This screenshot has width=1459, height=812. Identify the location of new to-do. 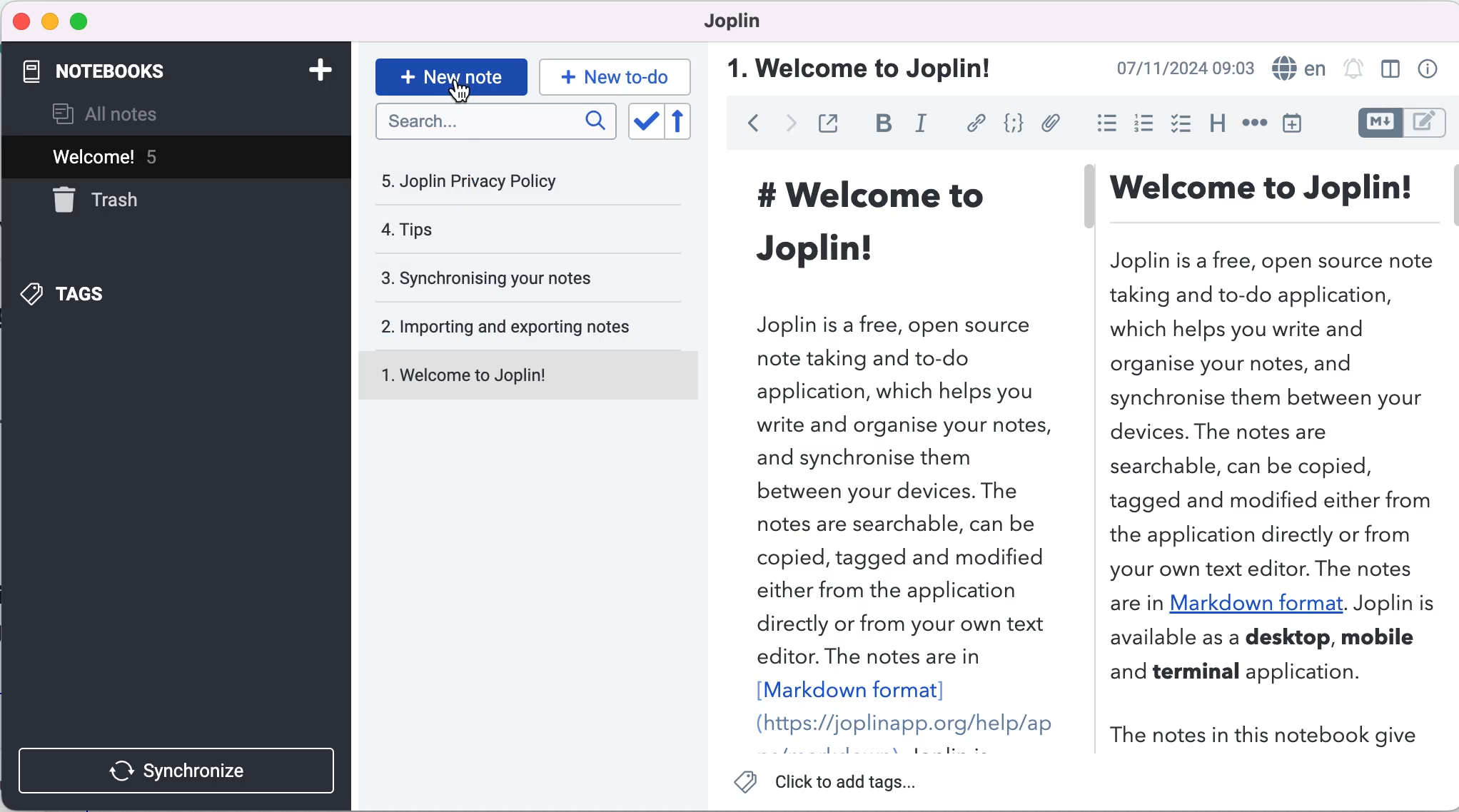
(618, 73).